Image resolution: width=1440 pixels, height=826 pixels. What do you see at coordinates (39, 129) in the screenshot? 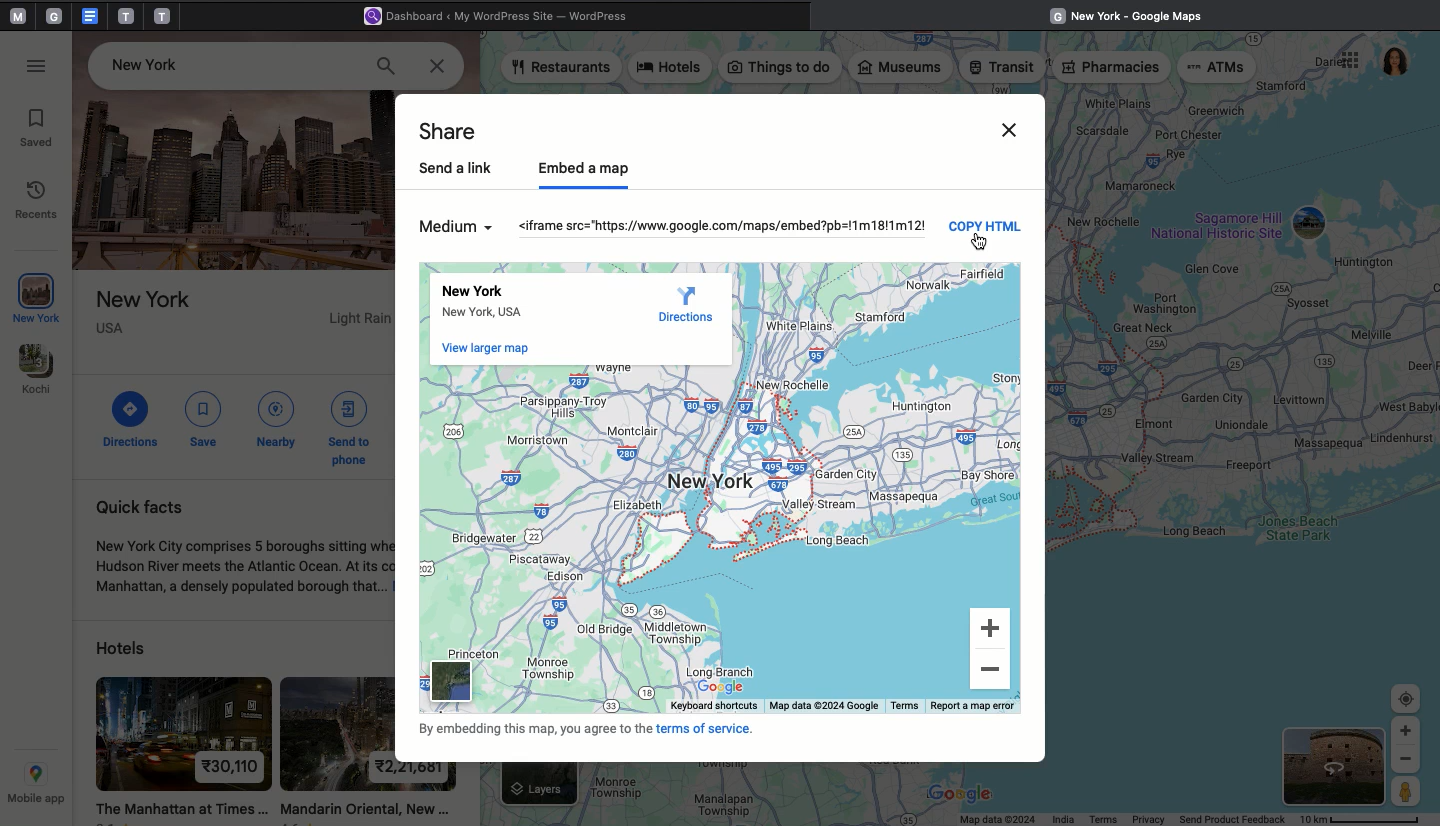
I see `Saved` at bounding box center [39, 129].